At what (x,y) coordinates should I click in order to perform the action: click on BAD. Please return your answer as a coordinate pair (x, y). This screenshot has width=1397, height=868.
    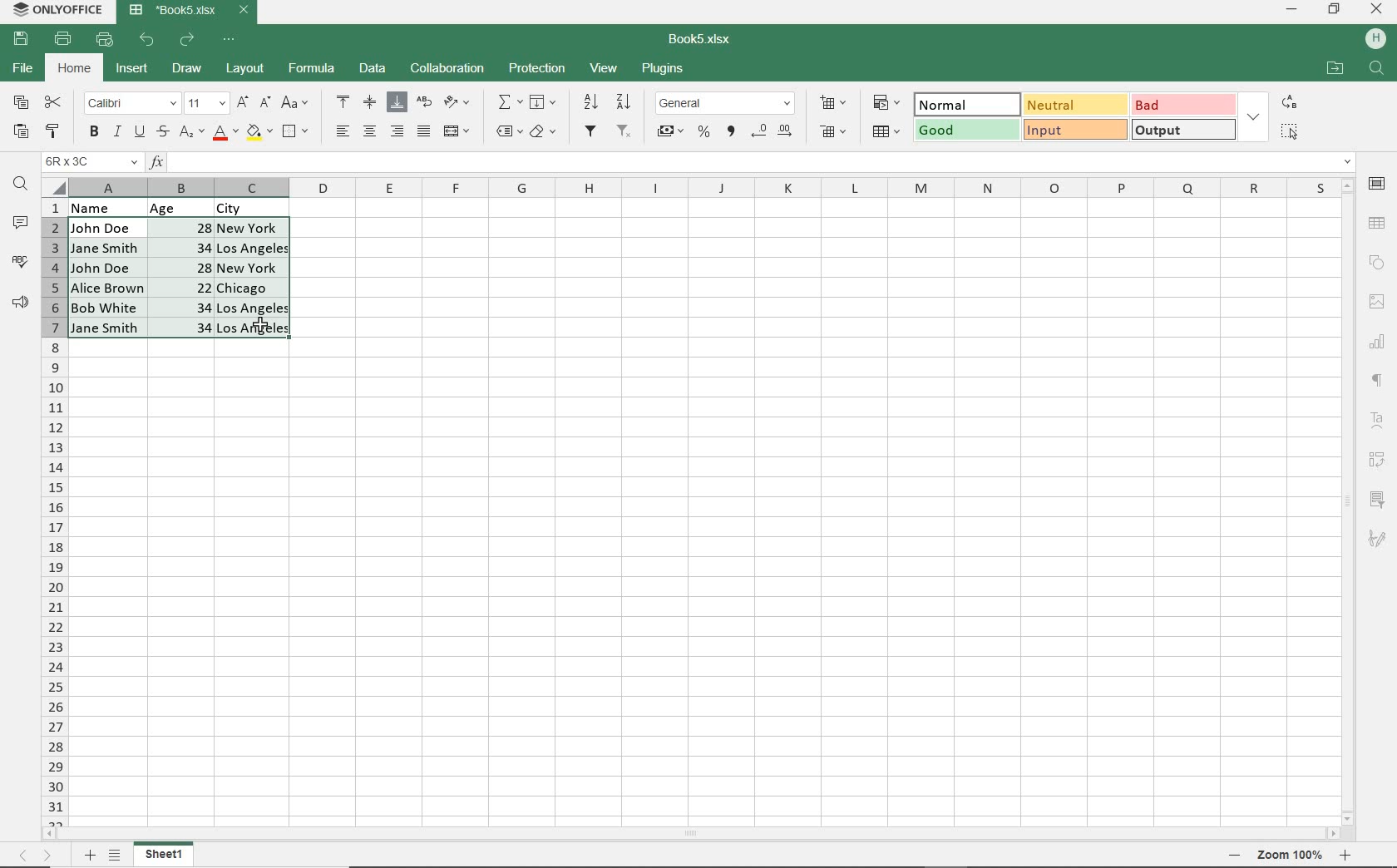
    Looking at the image, I should click on (1182, 104).